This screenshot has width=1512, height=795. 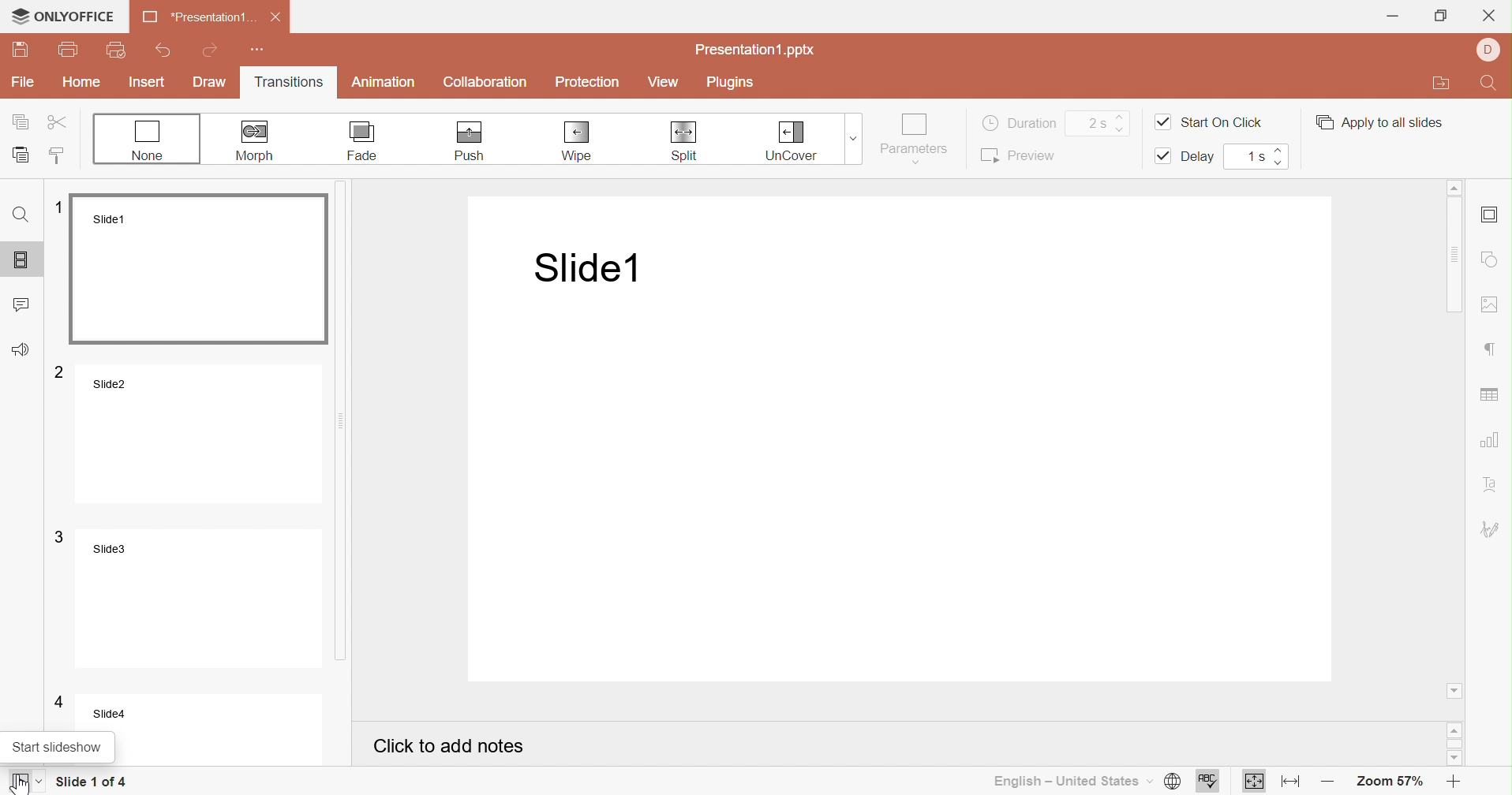 What do you see at coordinates (1393, 17) in the screenshot?
I see `Minimize` at bounding box center [1393, 17].